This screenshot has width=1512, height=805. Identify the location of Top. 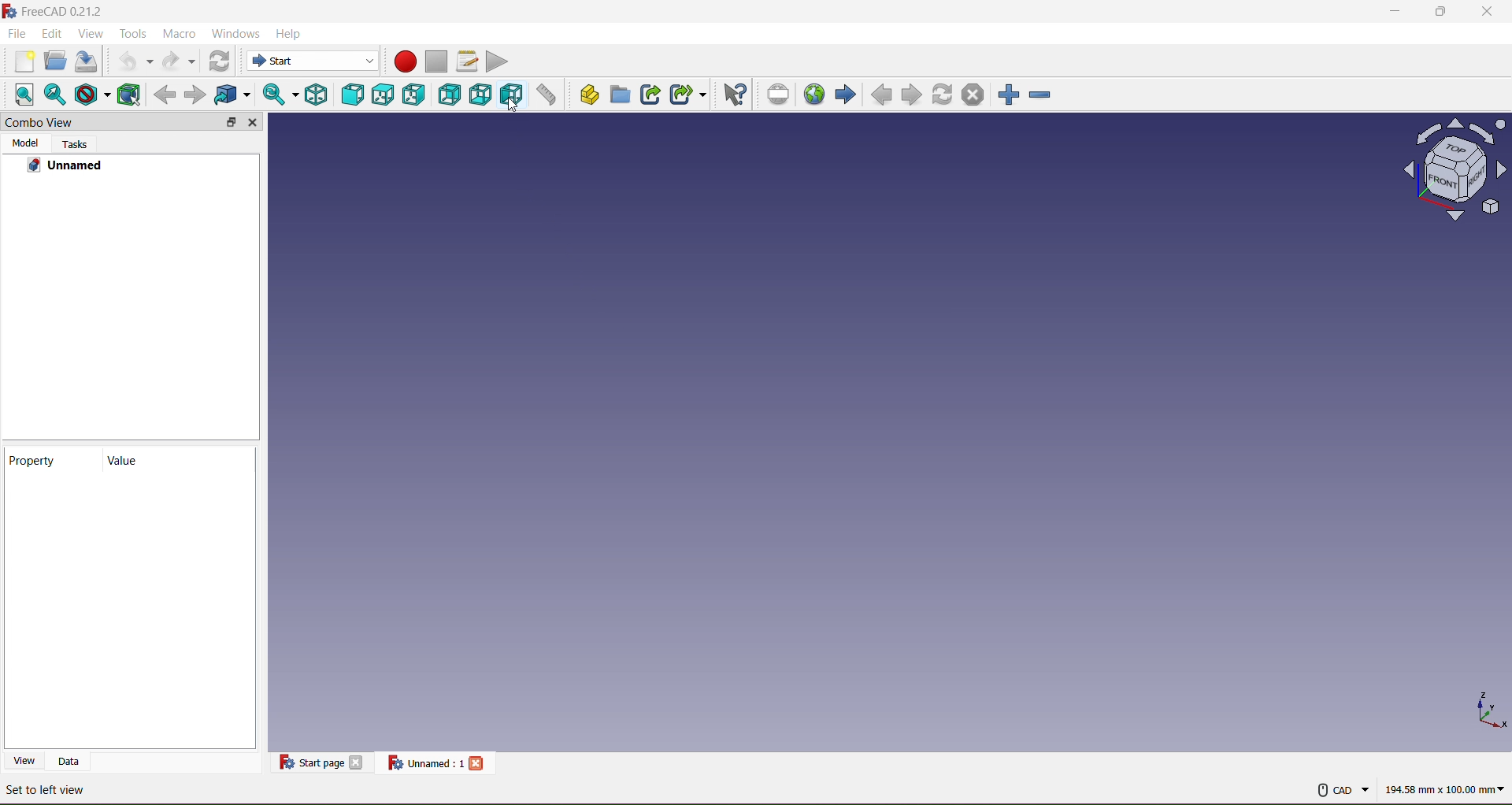
(384, 95).